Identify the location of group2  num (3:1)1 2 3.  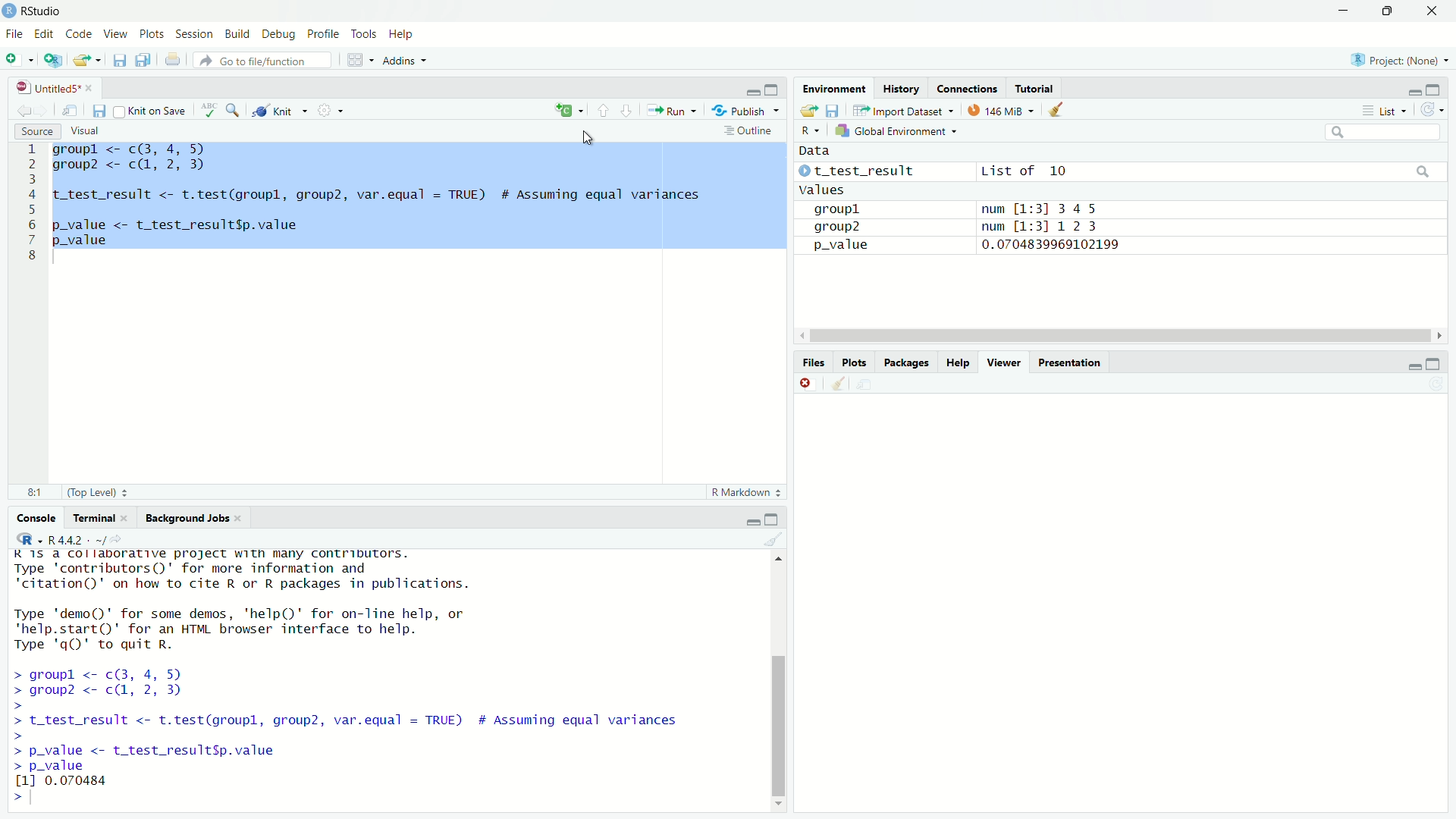
(956, 227).